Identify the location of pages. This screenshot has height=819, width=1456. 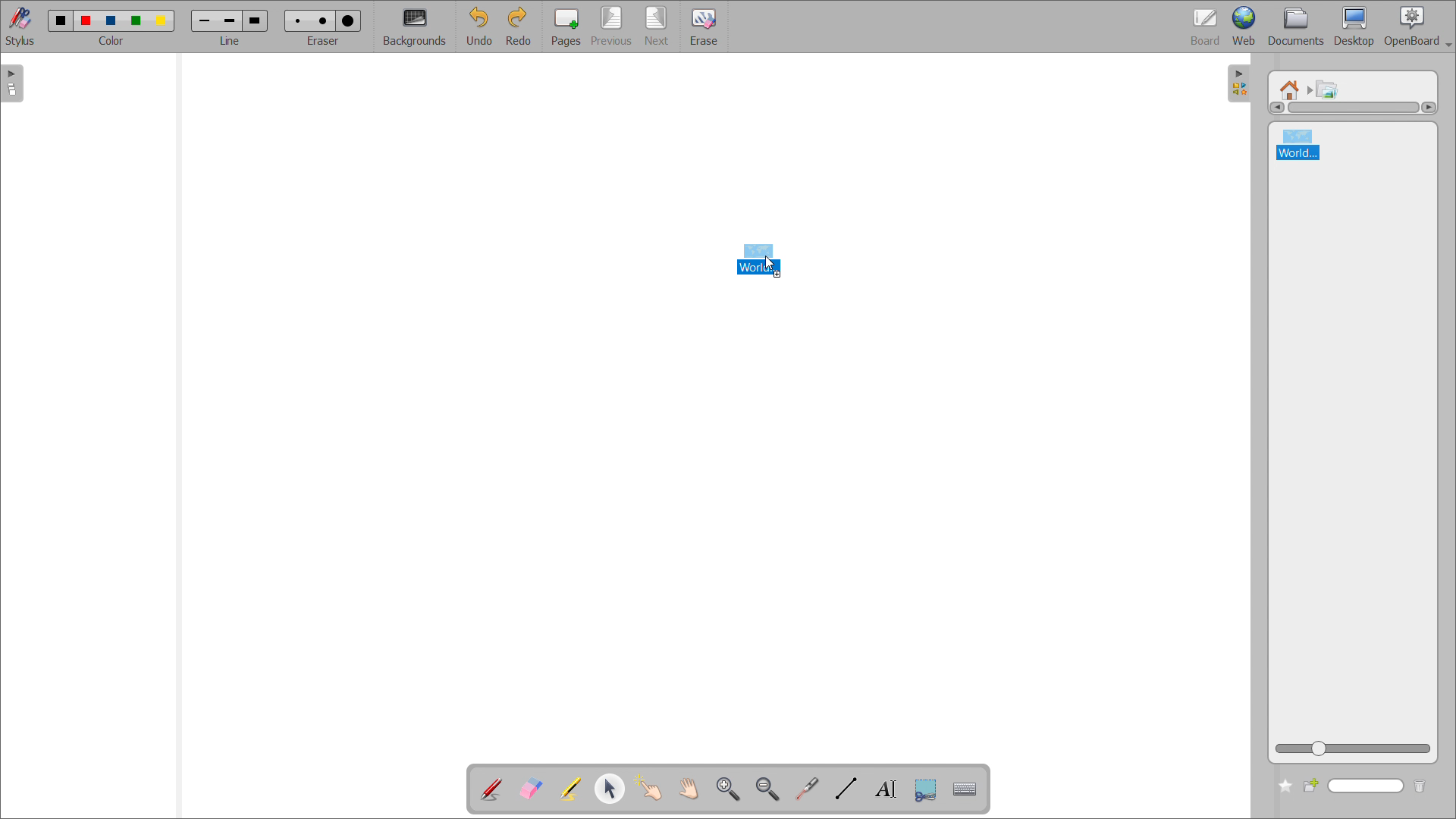
(566, 27).